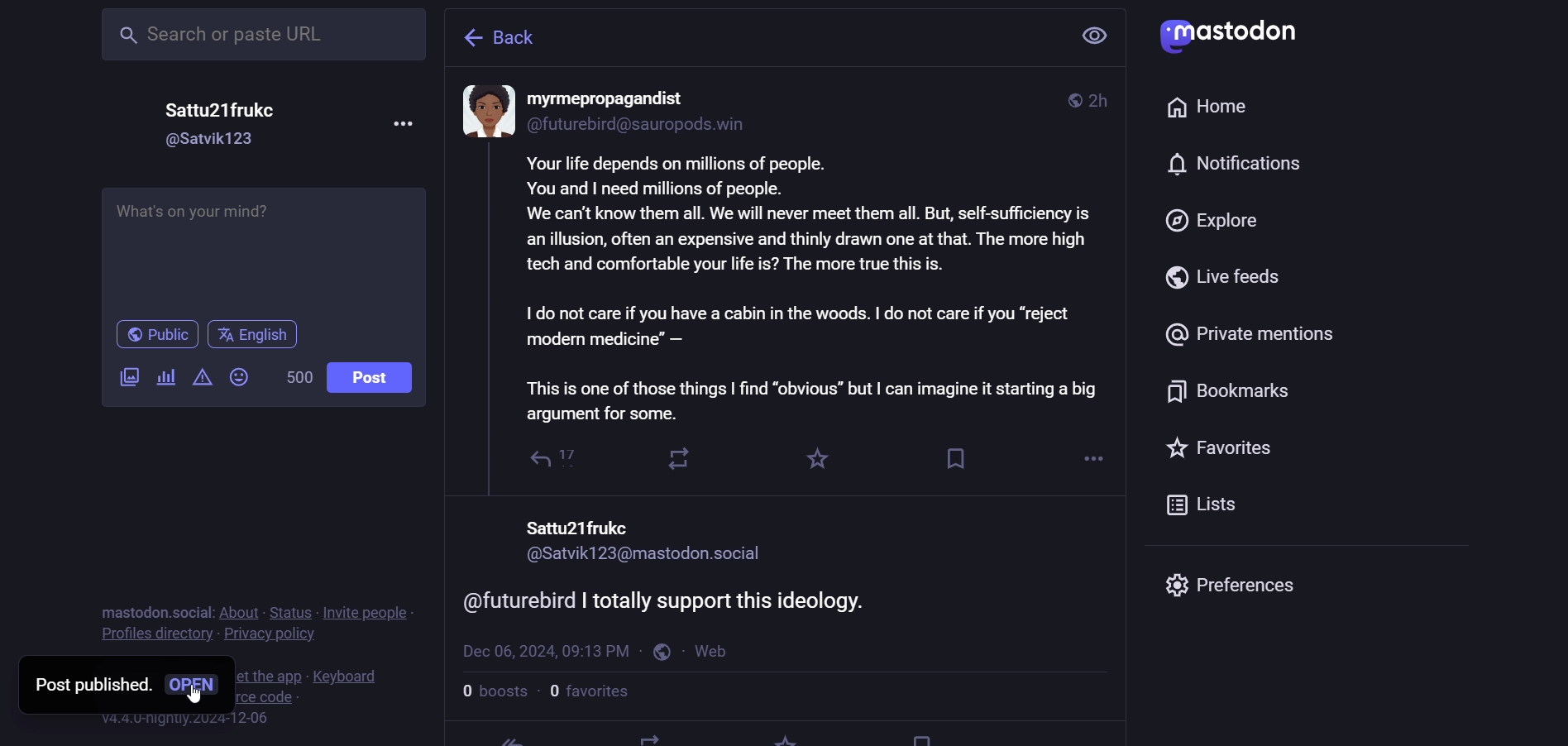  Describe the element at coordinates (292, 612) in the screenshot. I see `status` at that location.